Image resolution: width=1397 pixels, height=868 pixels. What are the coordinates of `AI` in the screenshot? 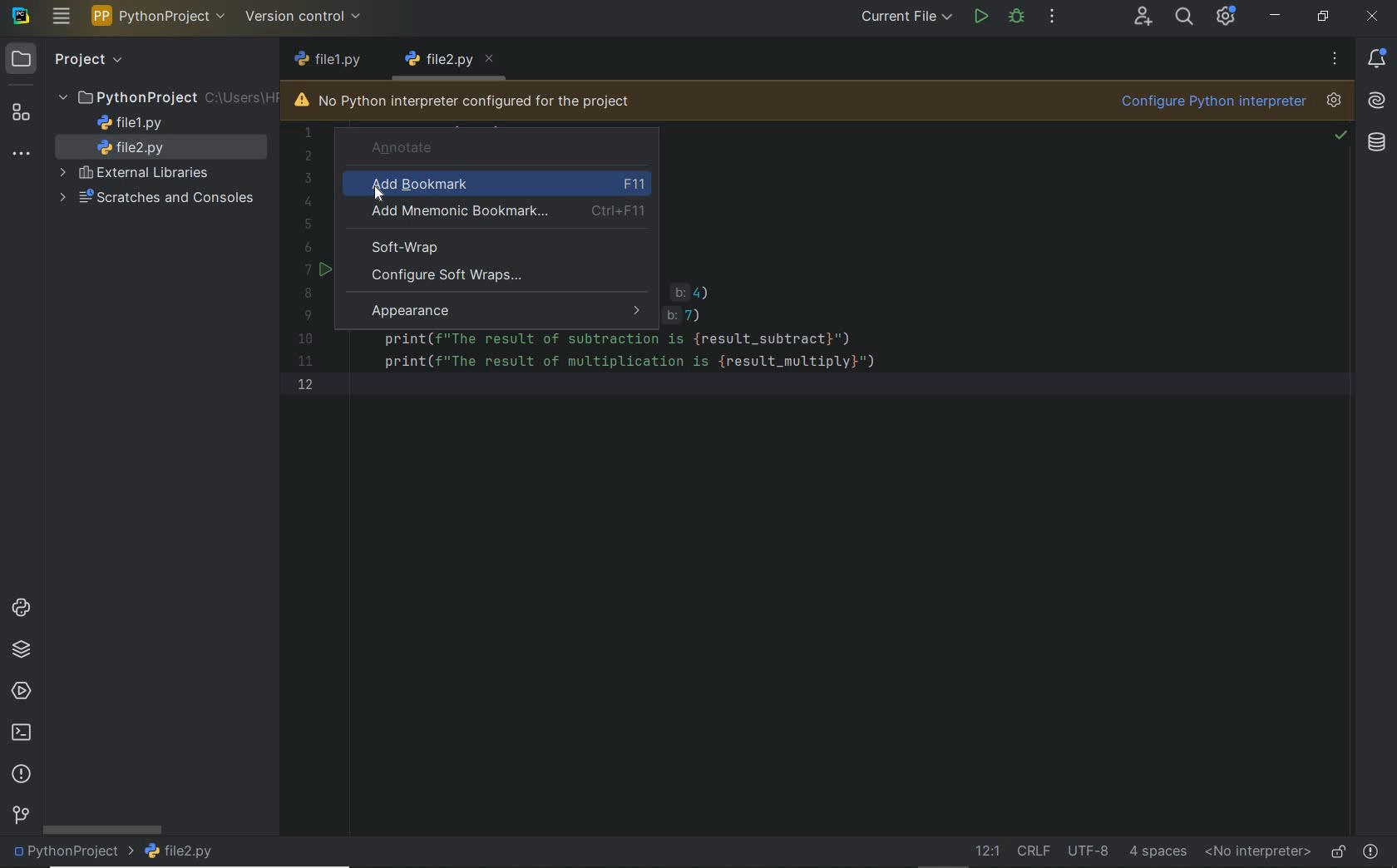 It's located at (1377, 102).